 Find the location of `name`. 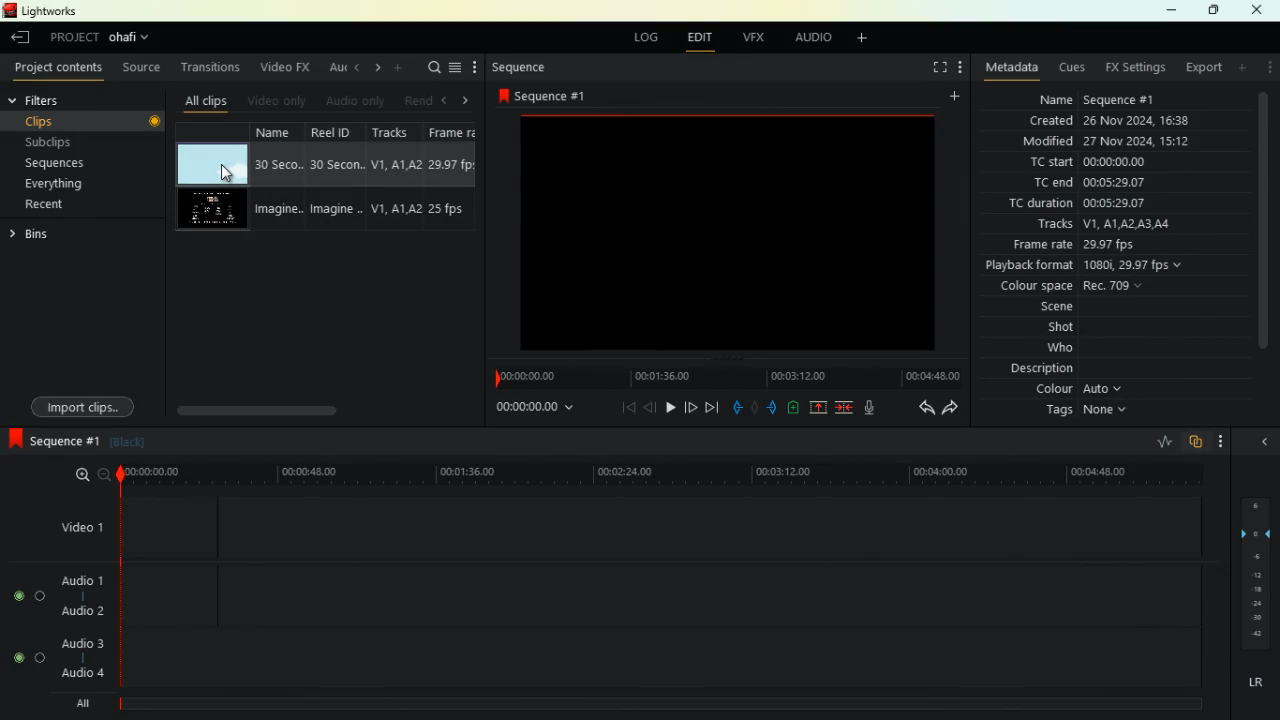

name is located at coordinates (1094, 98).